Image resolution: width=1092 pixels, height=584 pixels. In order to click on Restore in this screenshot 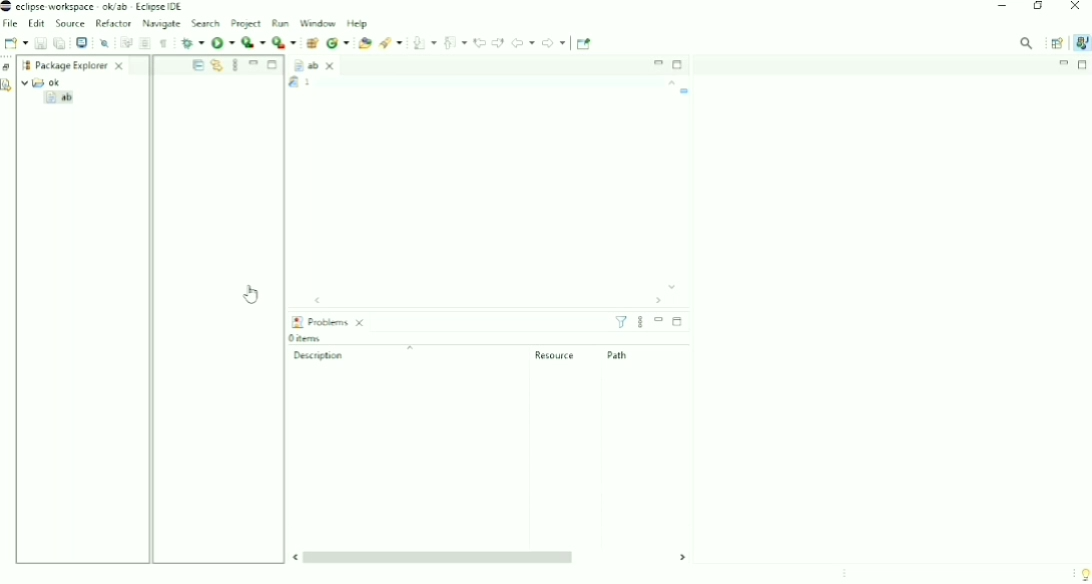, I will do `click(8, 68)`.